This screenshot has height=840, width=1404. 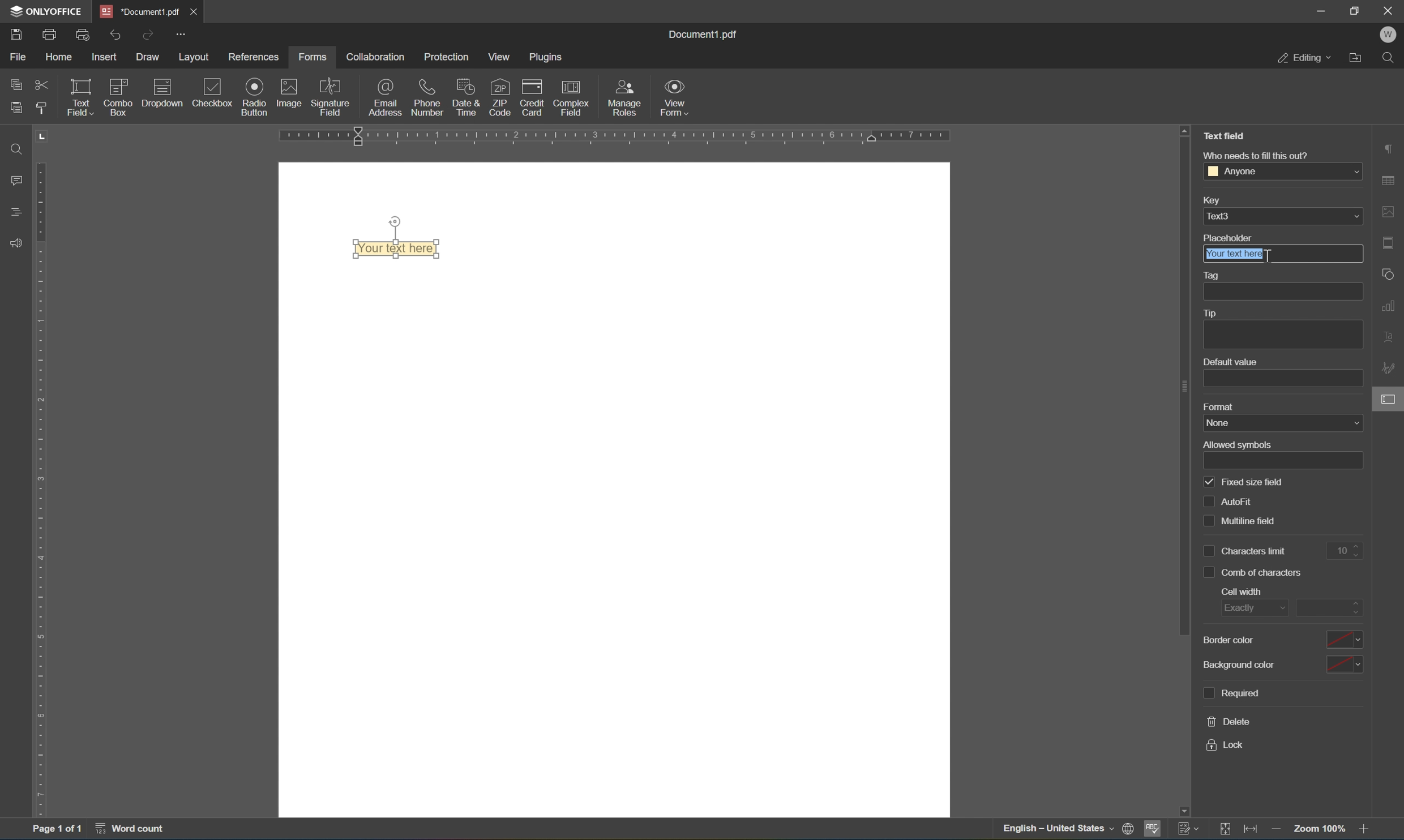 What do you see at coordinates (41, 108) in the screenshot?
I see `copy style` at bounding box center [41, 108].